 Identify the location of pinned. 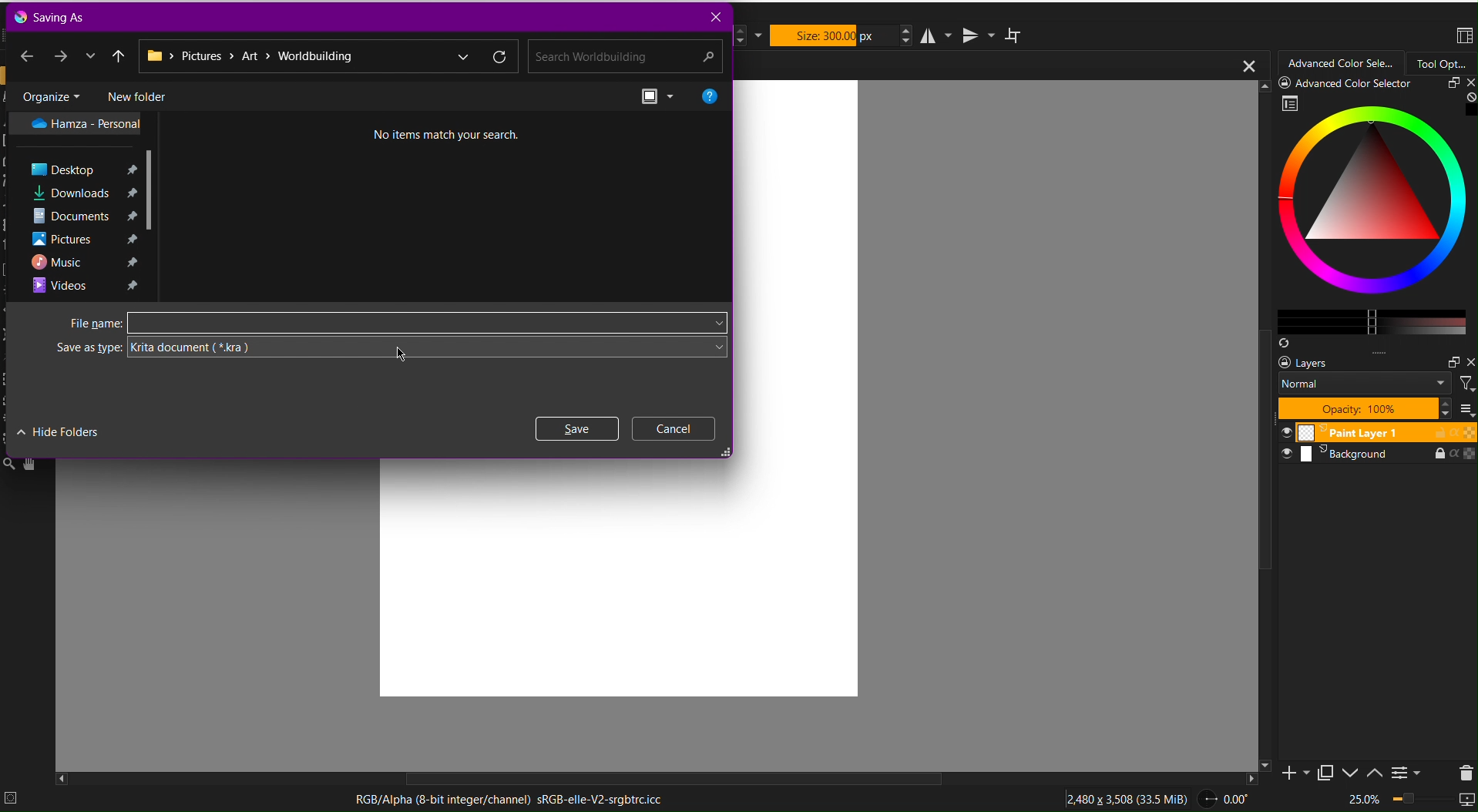
(132, 263).